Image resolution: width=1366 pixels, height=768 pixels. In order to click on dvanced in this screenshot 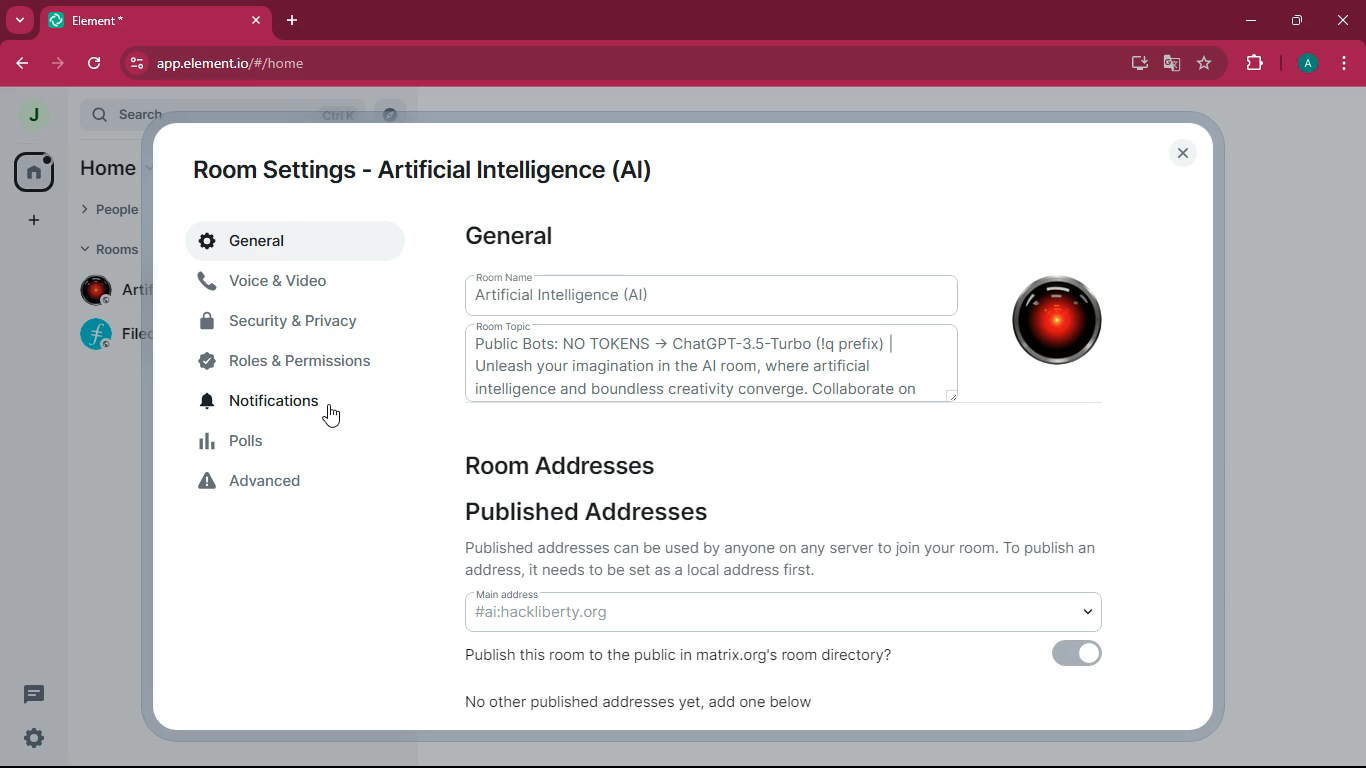, I will do `click(293, 484)`.